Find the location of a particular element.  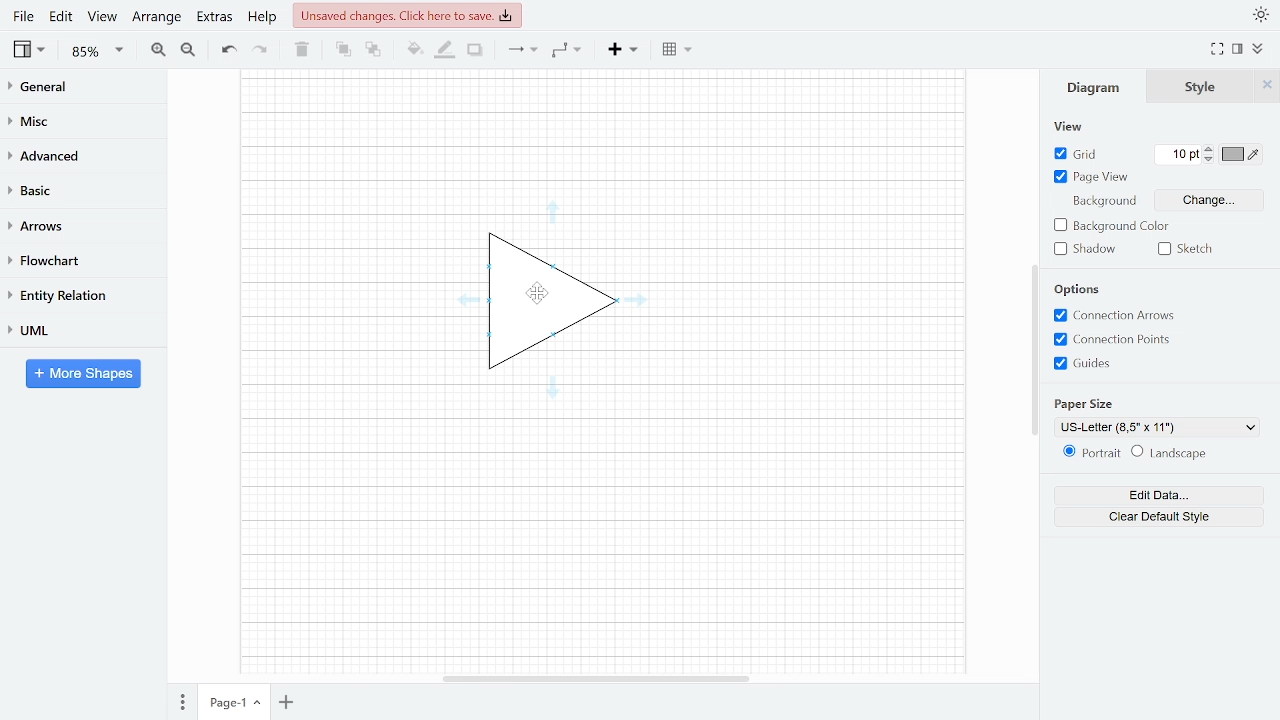

Extras is located at coordinates (212, 16).